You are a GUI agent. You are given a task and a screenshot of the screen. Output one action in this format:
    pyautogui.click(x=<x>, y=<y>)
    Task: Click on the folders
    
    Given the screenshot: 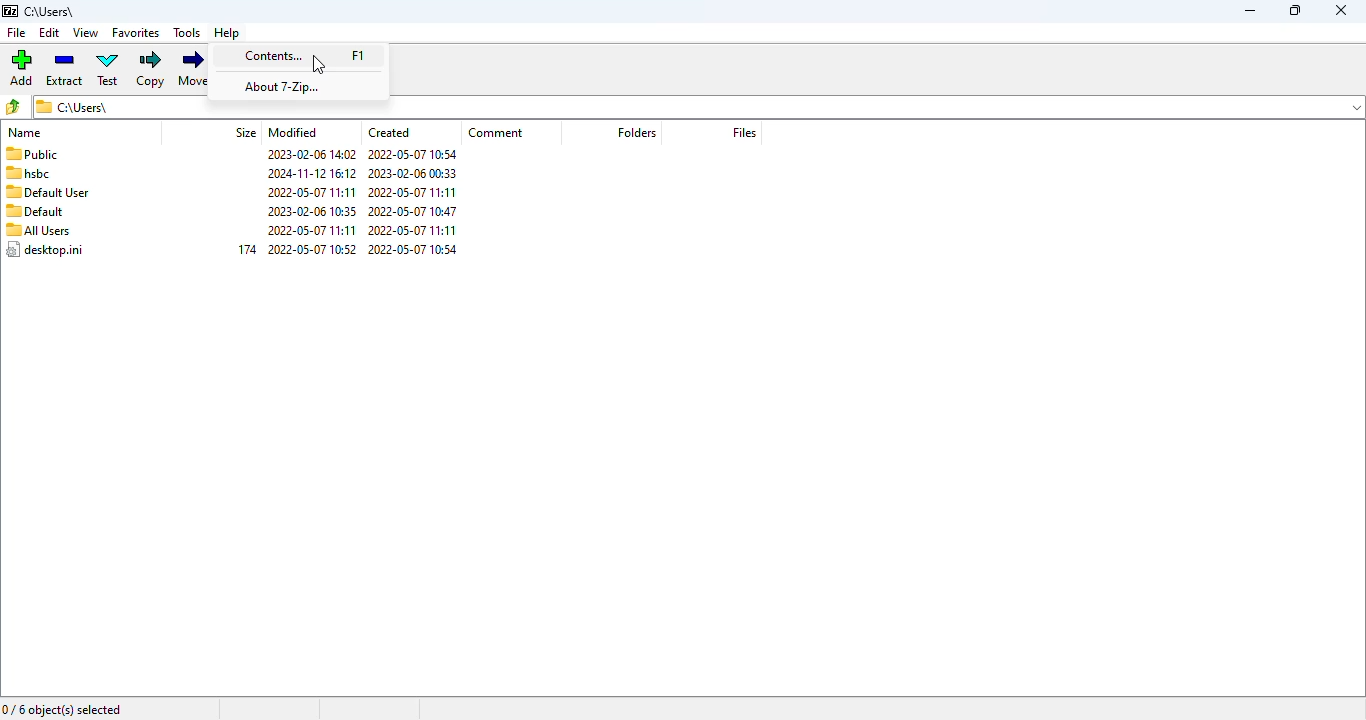 What is the action you would take?
    pyautogui.click(x=635, y=131)
    